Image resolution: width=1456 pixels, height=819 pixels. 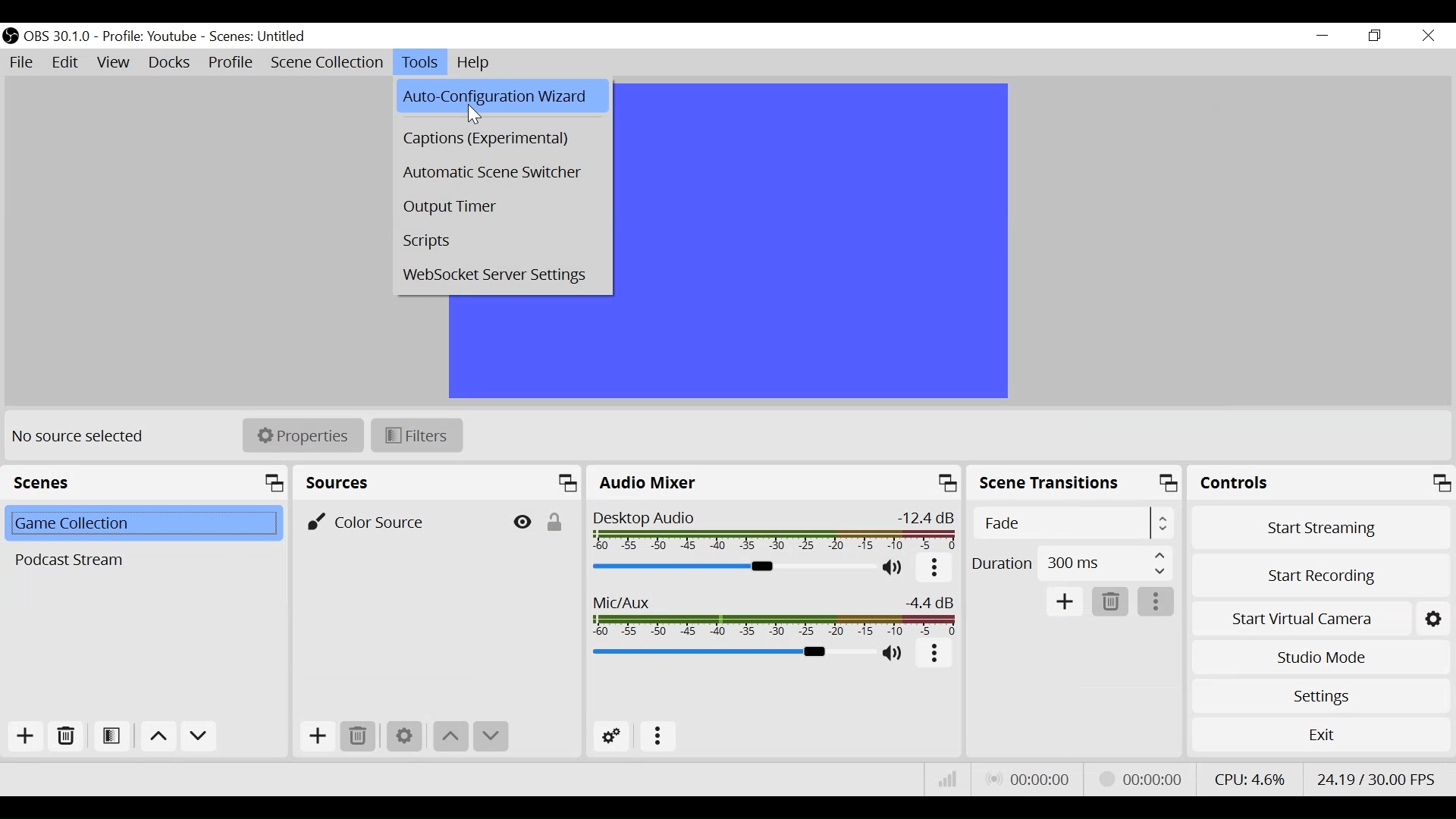 I want to click on more options, so click(x=1156, y=602).